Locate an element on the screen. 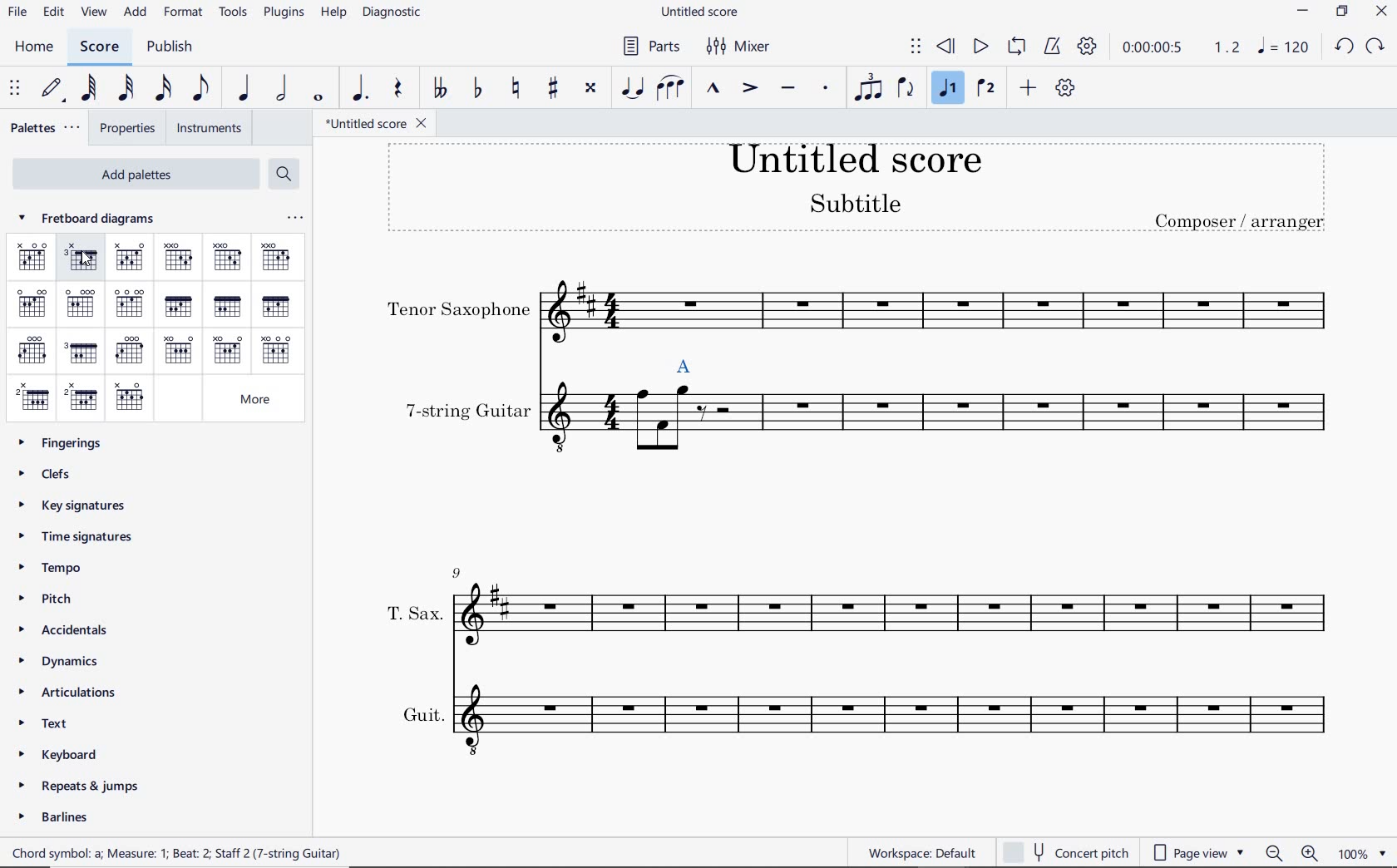 The width and height of the screenshot is (1397, 868). AM is located at coordinates (229, 353).